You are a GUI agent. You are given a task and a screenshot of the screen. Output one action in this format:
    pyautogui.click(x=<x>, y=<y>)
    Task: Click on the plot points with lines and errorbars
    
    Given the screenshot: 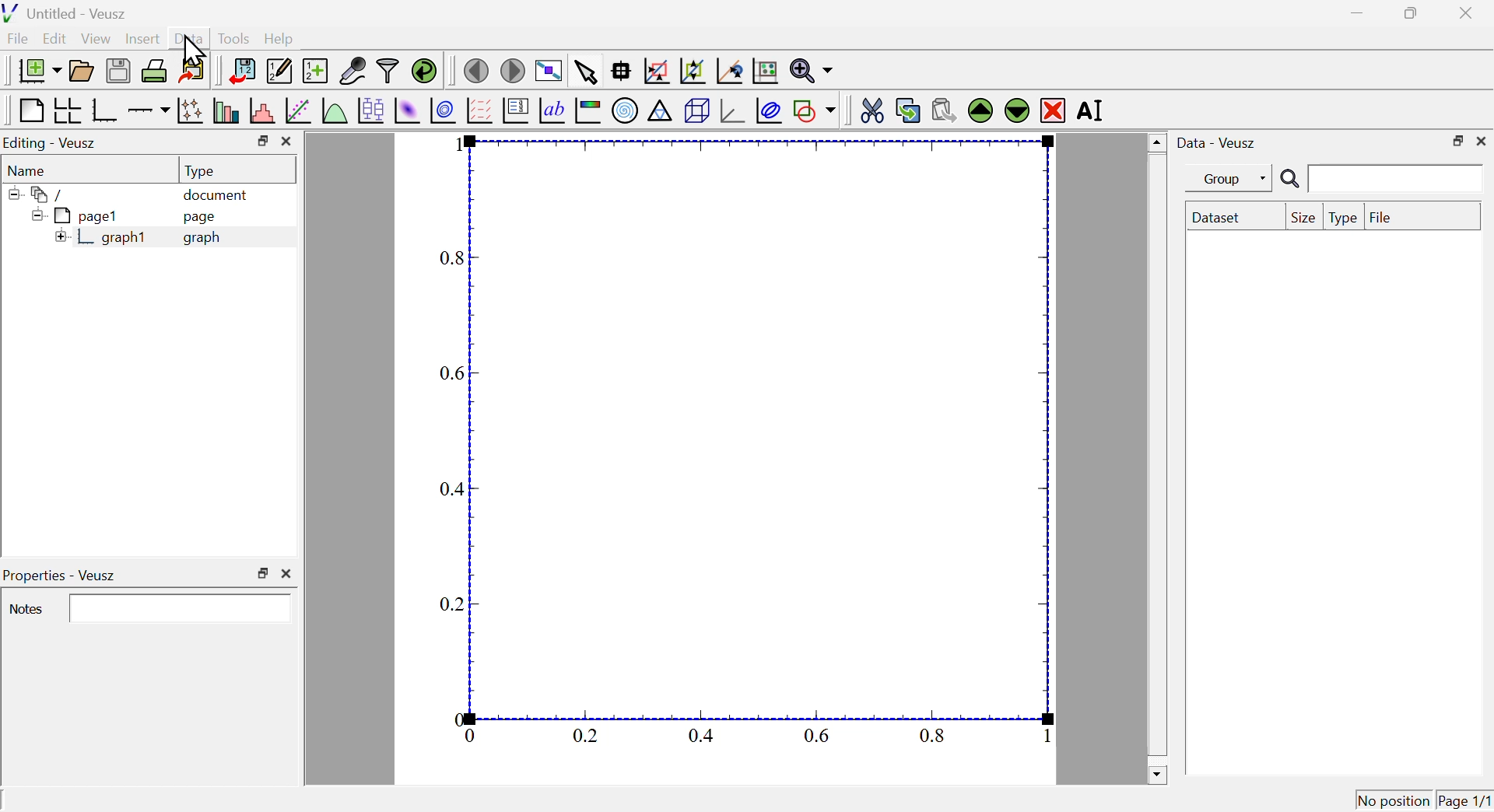 What is the action you would take?
    pyautogui.click(x=190, y=110)
    